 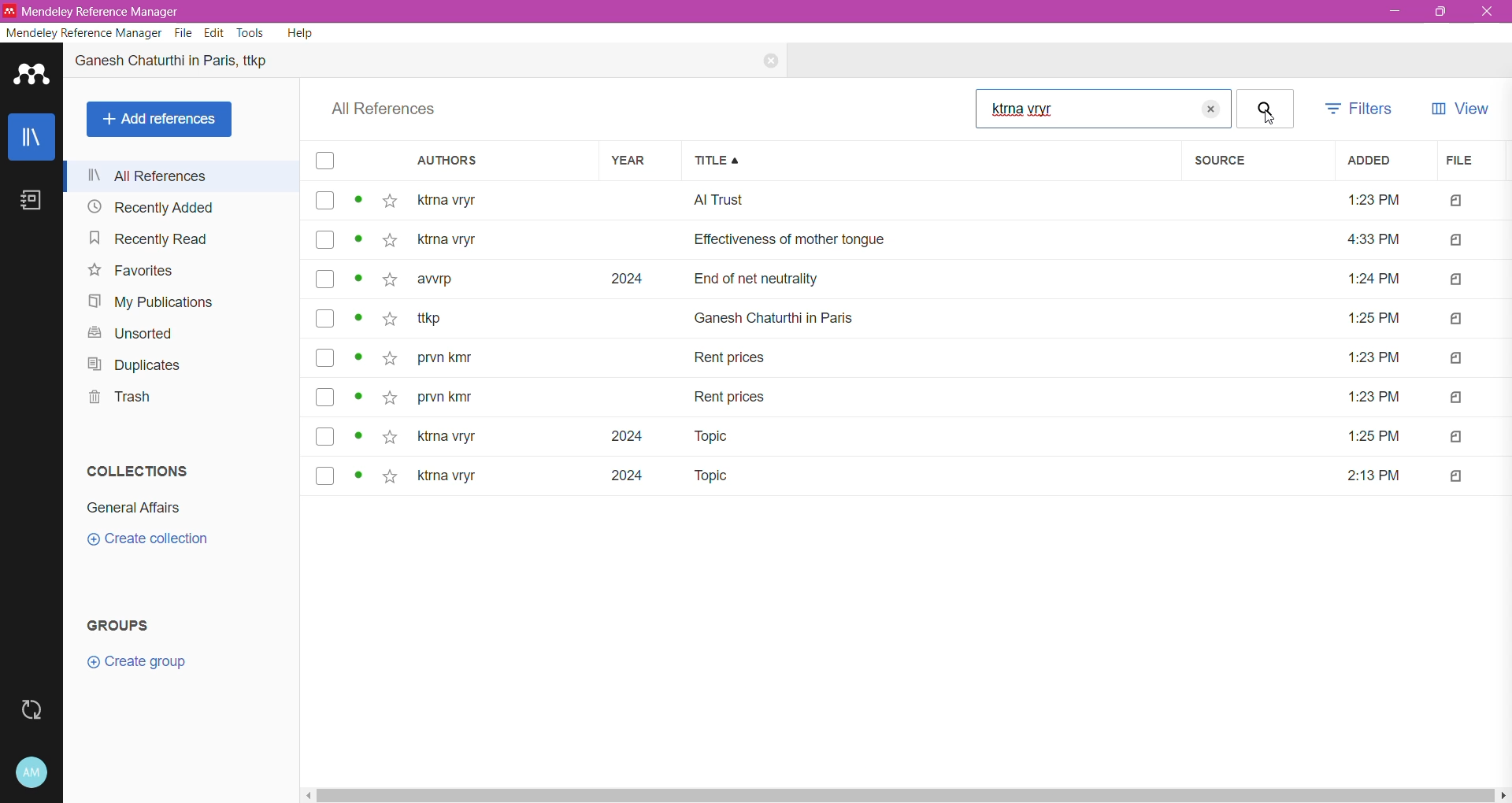 What do you see at coordinates (1458, 111) in the screenshot?
I see `View` at bounding box center [1458, 111].